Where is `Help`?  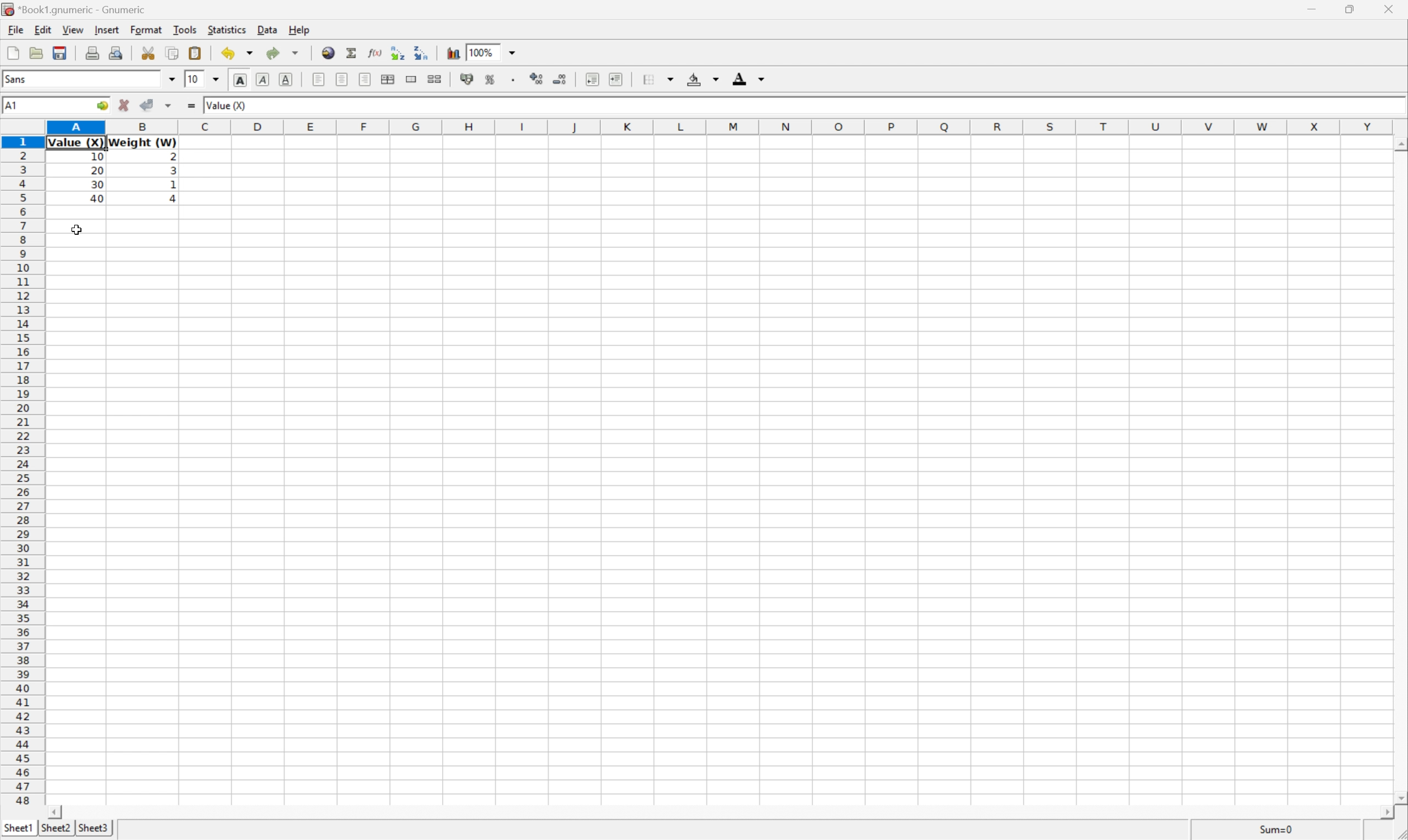 Help is located at coordinates (298, 28).